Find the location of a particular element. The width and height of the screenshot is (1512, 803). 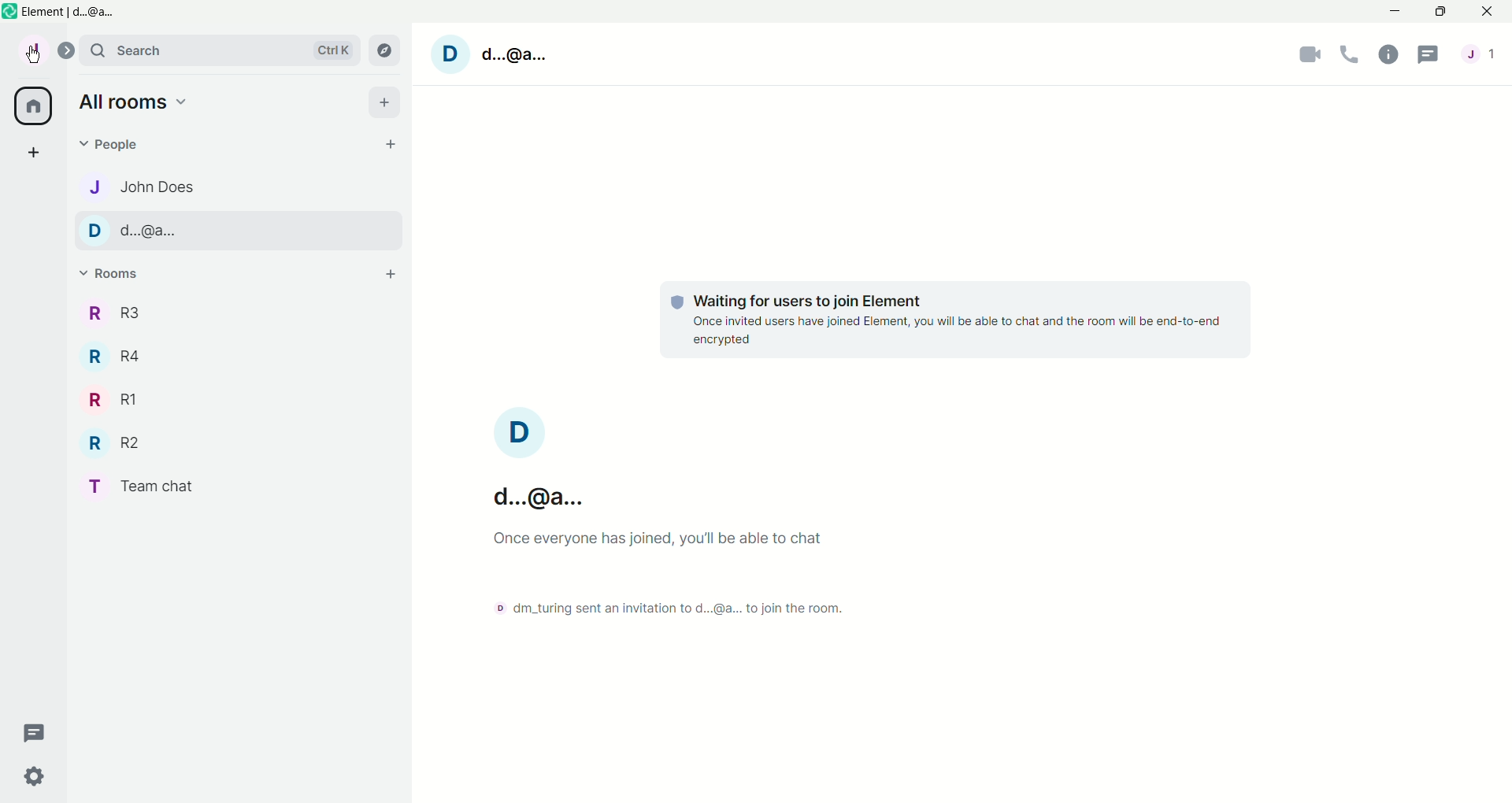

People is located at coordinates (1484, 56).